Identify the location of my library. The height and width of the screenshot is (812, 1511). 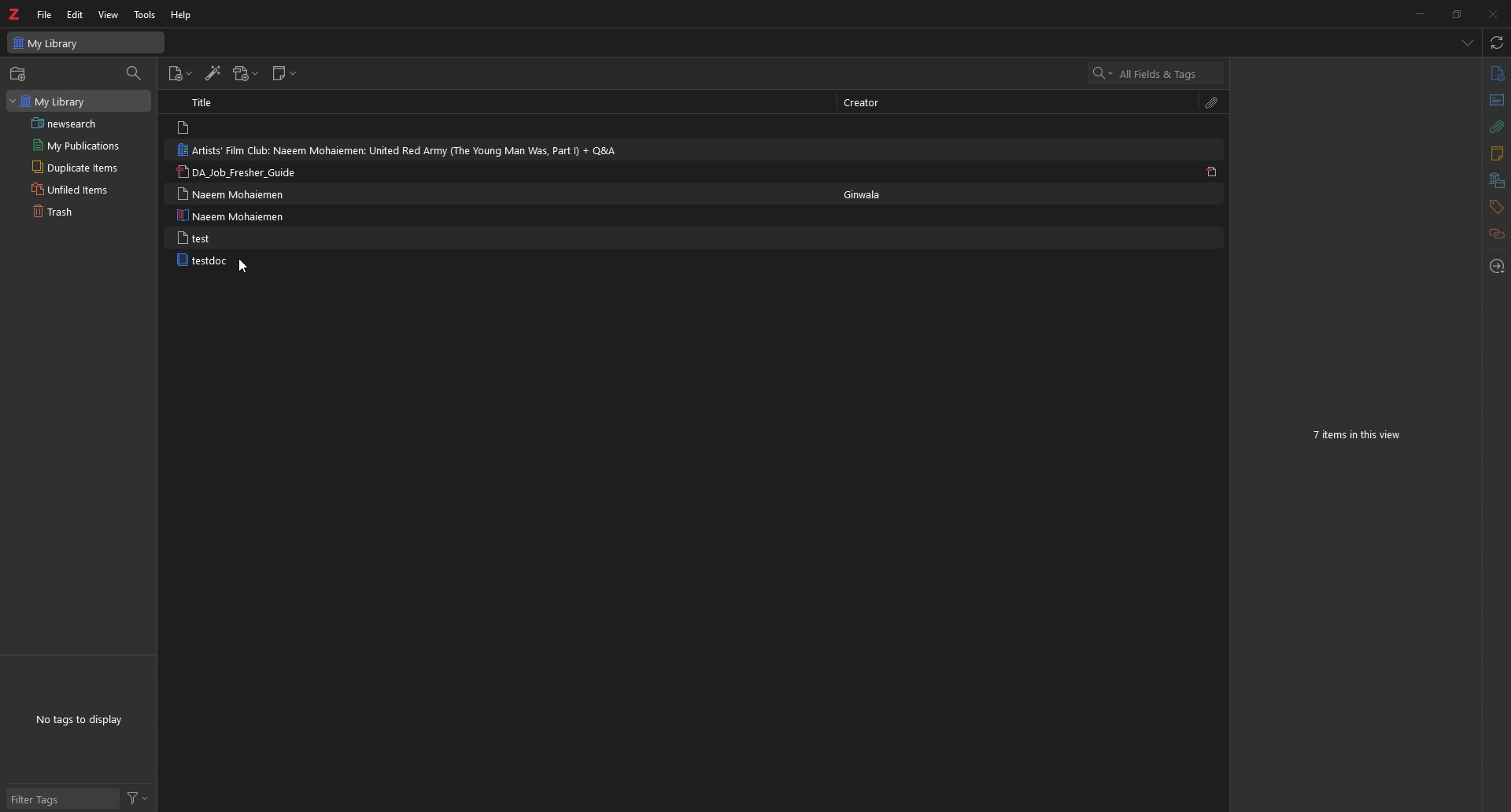
(55, 103).